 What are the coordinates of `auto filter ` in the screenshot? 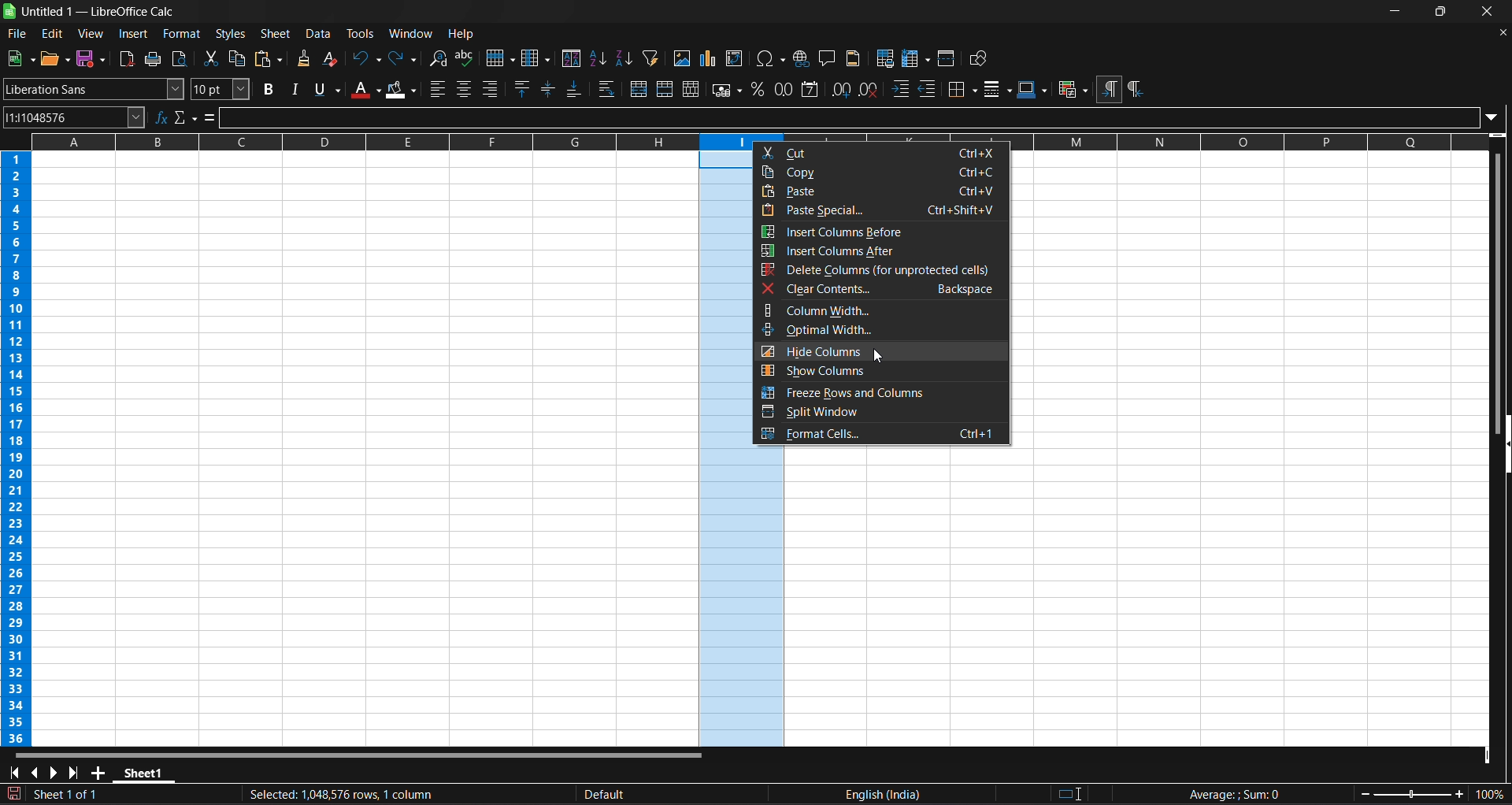 It's located at (650, 58).